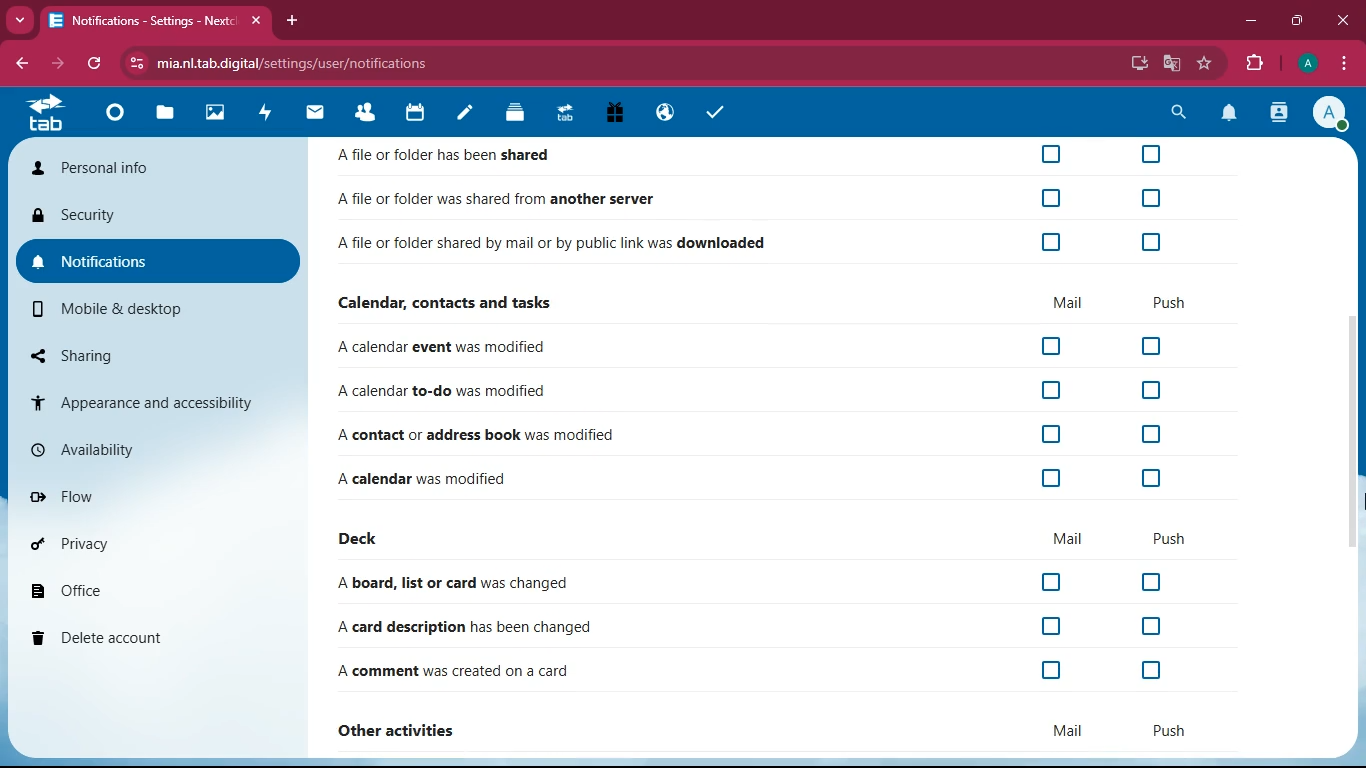  Describe the element at coordinates (153, 640) in the screenshot. I see `delete account` at that location.